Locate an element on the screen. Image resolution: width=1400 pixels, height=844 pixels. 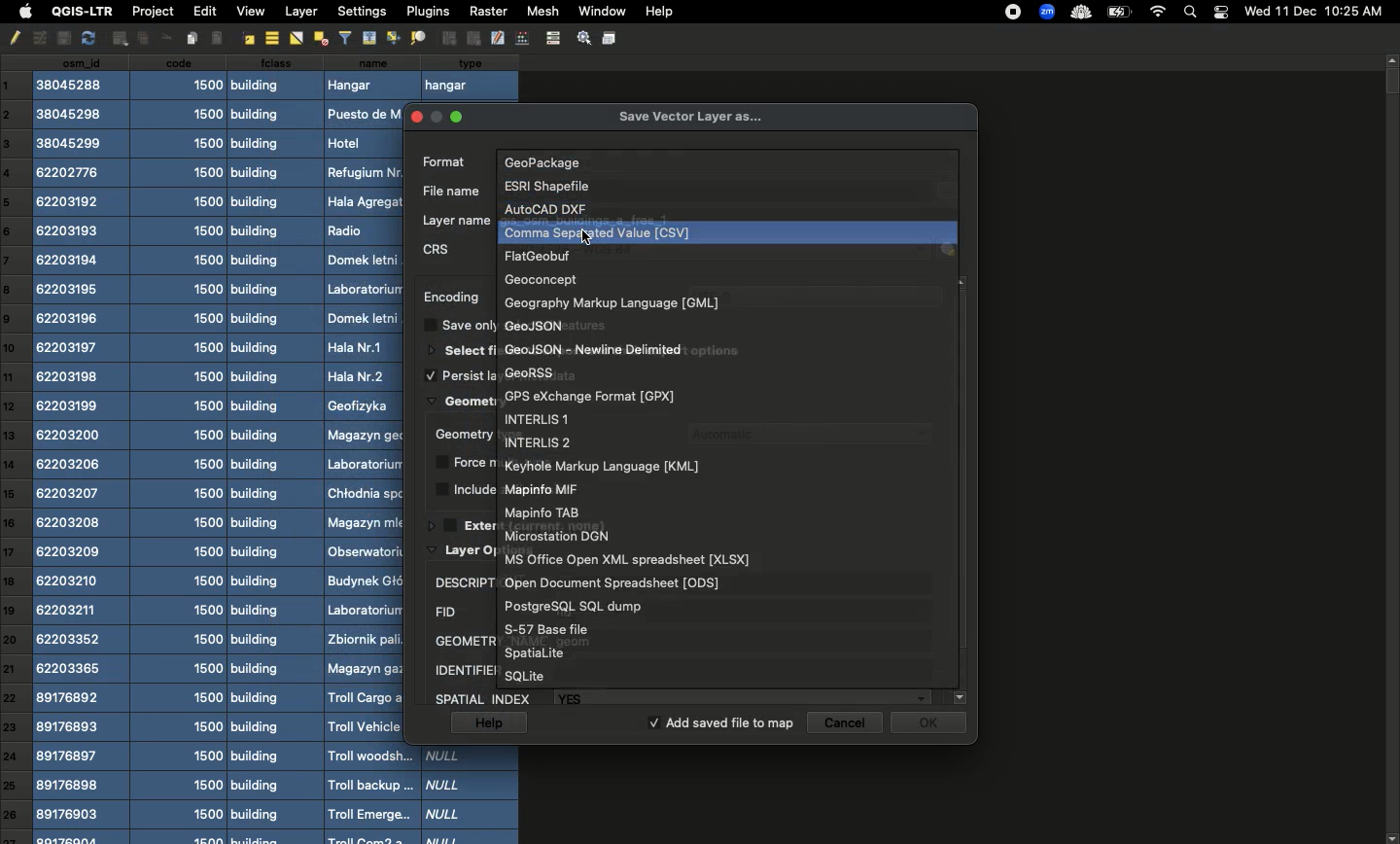
Format is located at coordinates (544, 510).